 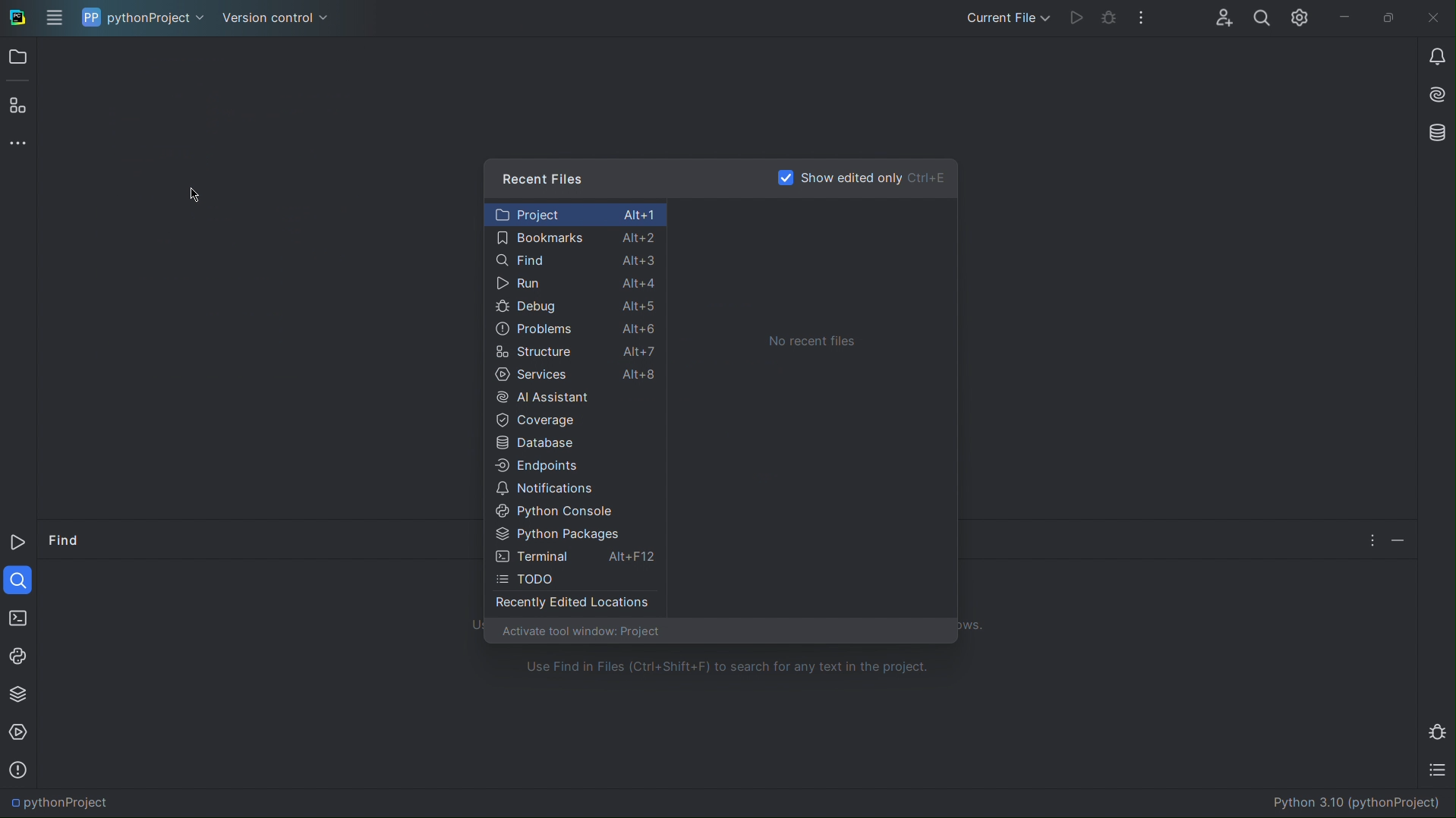 What do you see at coordinates (811, 341) in the screenshot?
I see `No recent files` at bounding box center [811, 341].